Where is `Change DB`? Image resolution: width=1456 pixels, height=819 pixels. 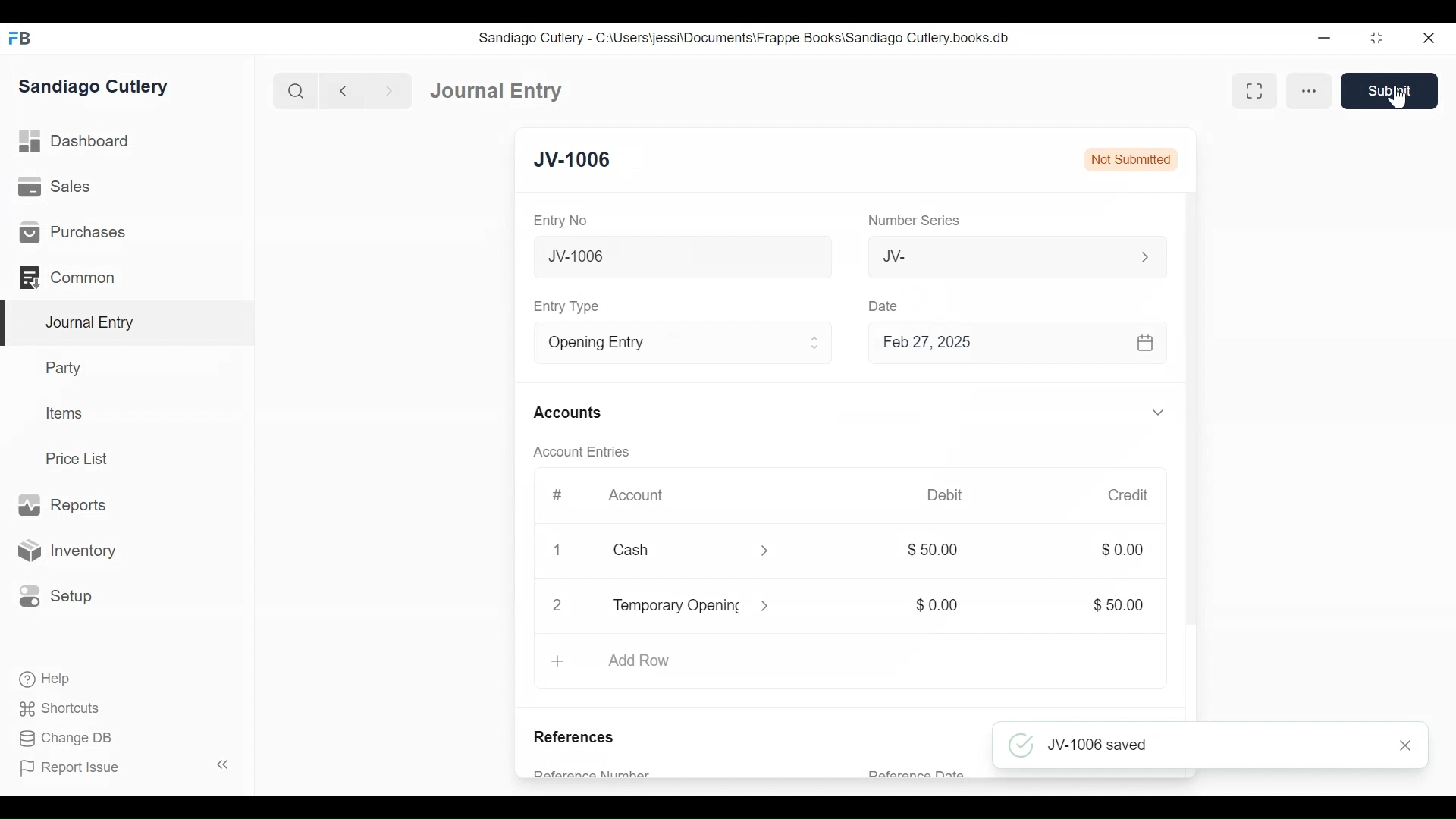
Change DB is located at coordinates (64, 739).